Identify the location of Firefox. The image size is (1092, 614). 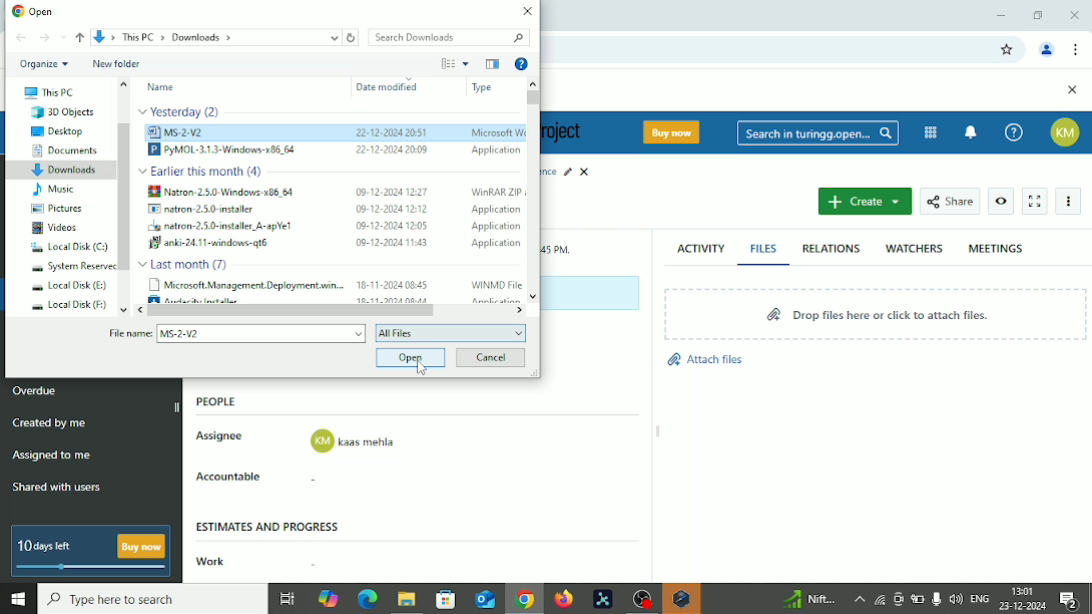
(563, 599).